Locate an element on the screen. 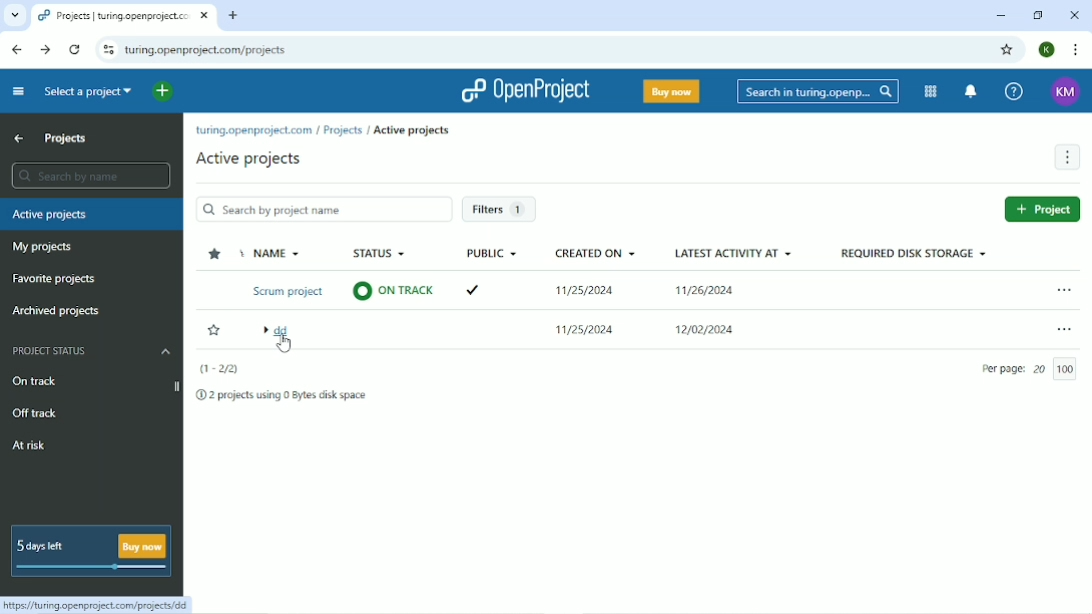  Active projects is located at coordinates (90, 214).